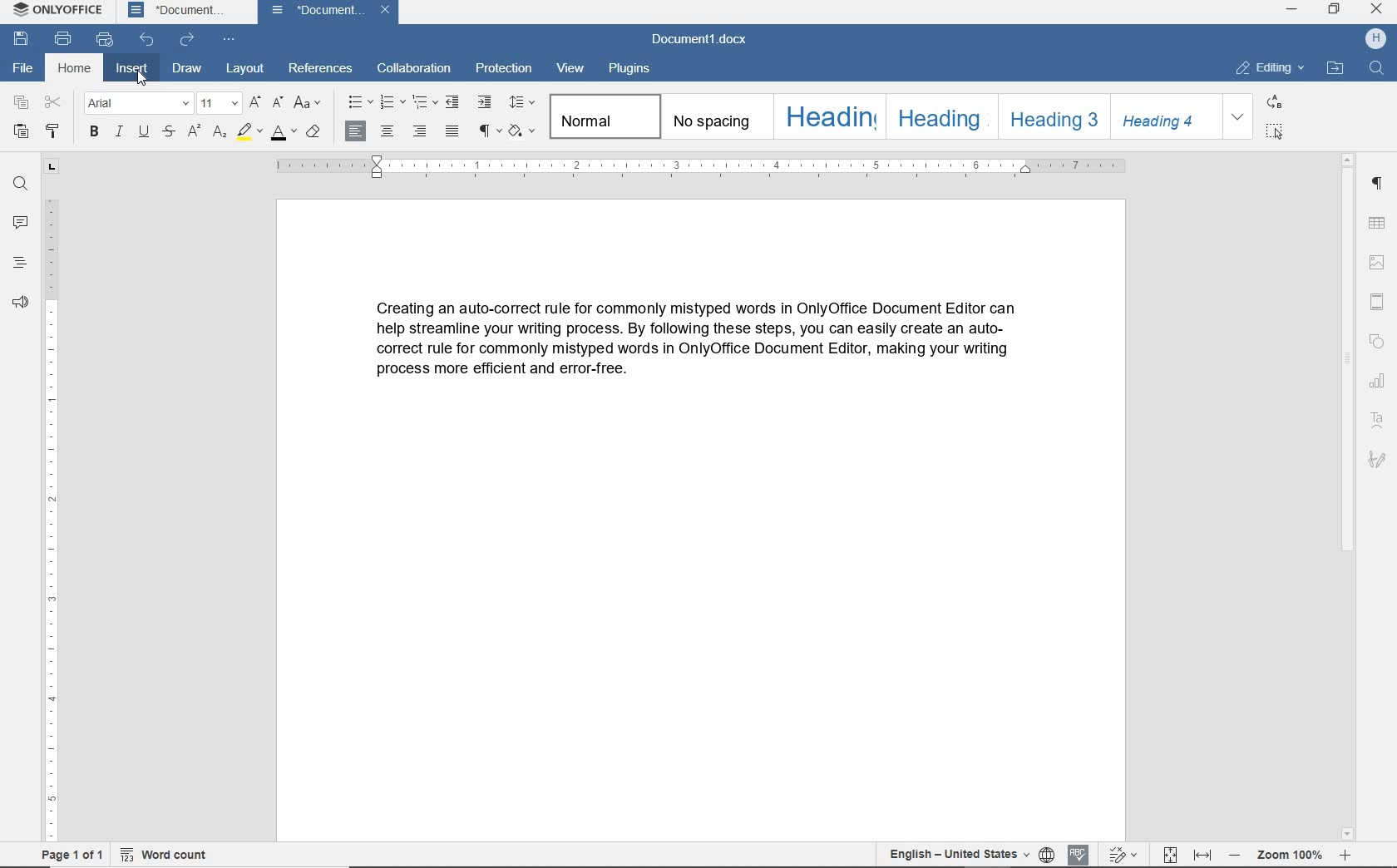  I want to click on table, so click(1379, 223).